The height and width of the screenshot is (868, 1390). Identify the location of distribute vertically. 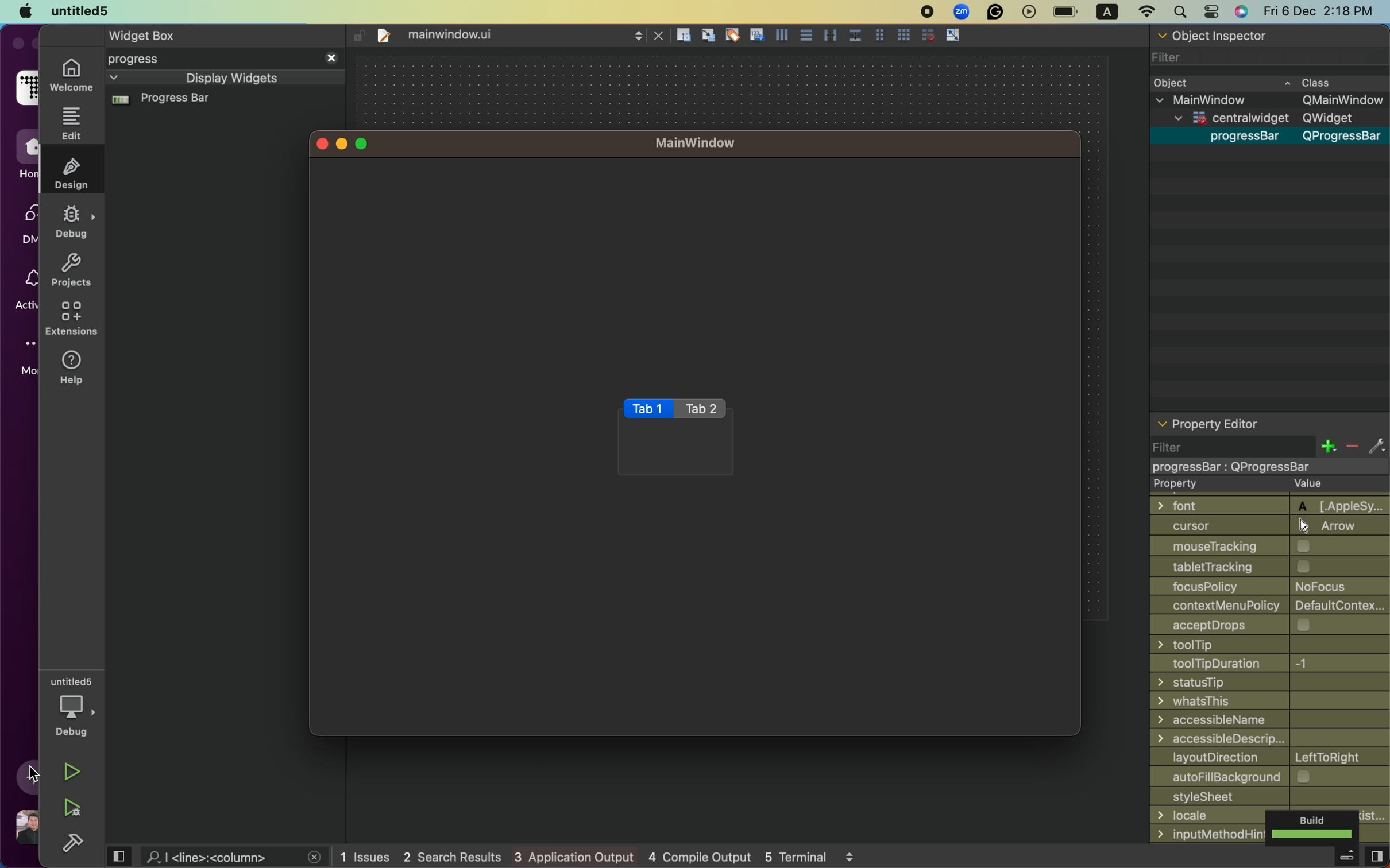
(856, 37).